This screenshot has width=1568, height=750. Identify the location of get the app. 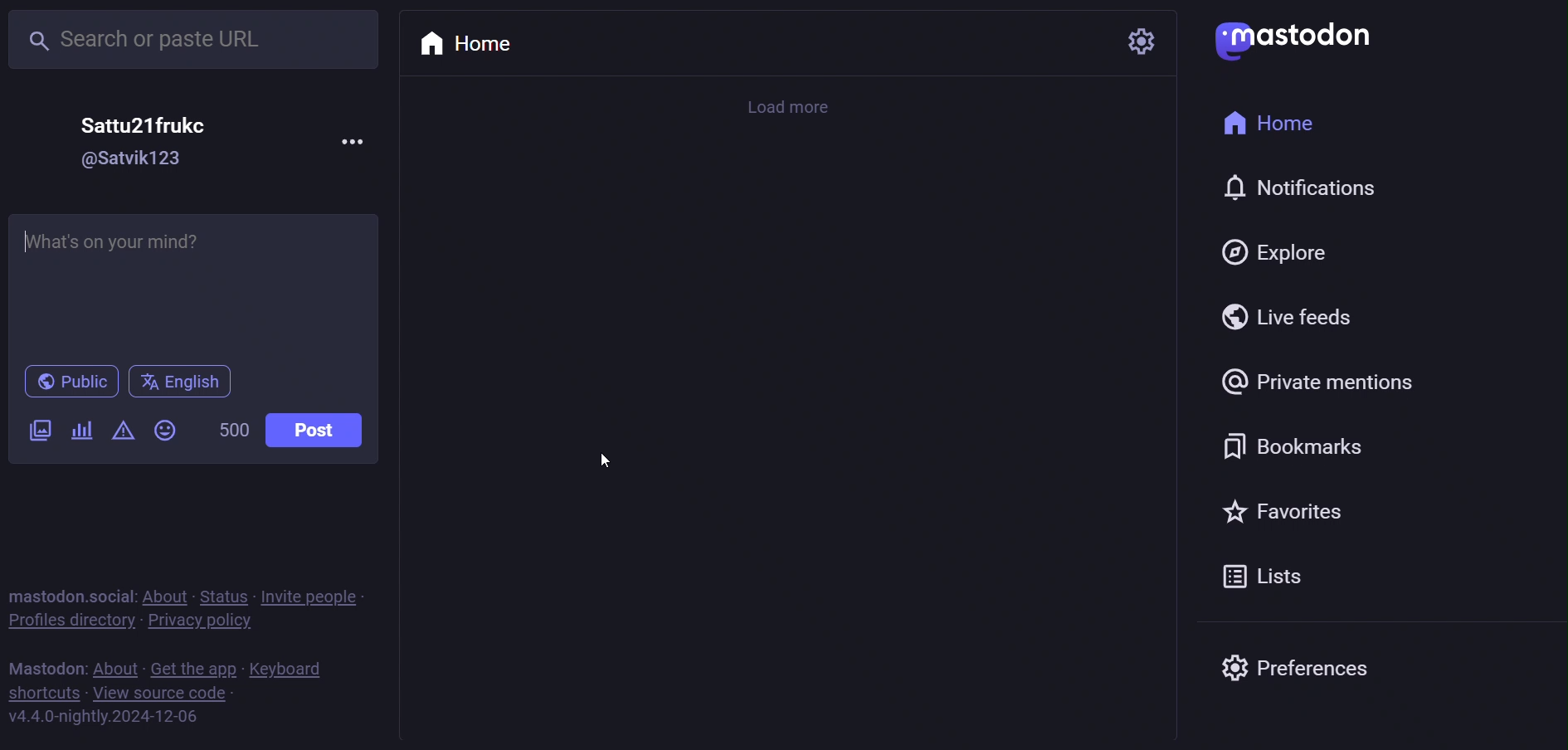
(194, 668).